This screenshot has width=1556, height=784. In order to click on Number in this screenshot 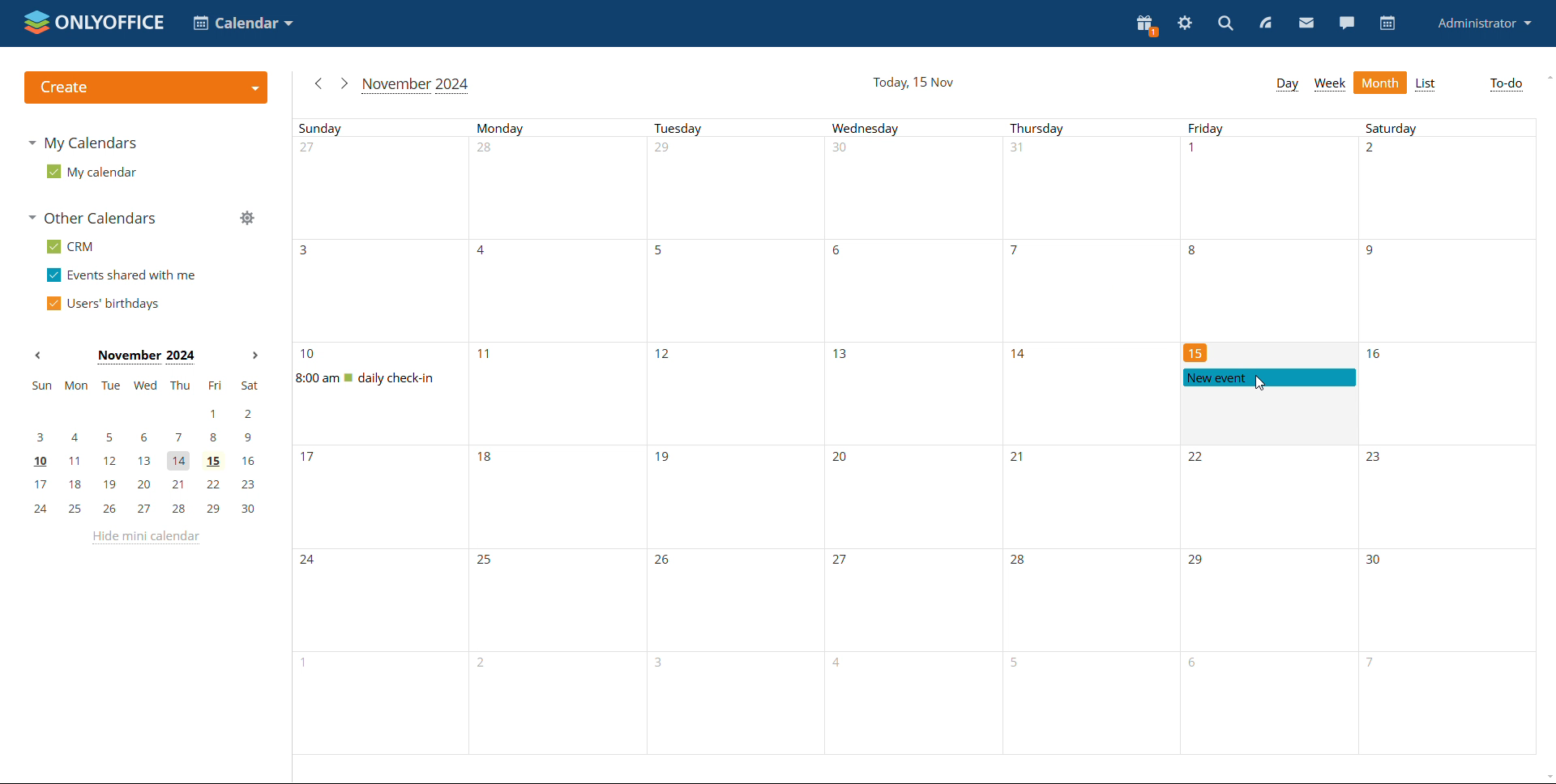, I will do `click(483, 253)`.